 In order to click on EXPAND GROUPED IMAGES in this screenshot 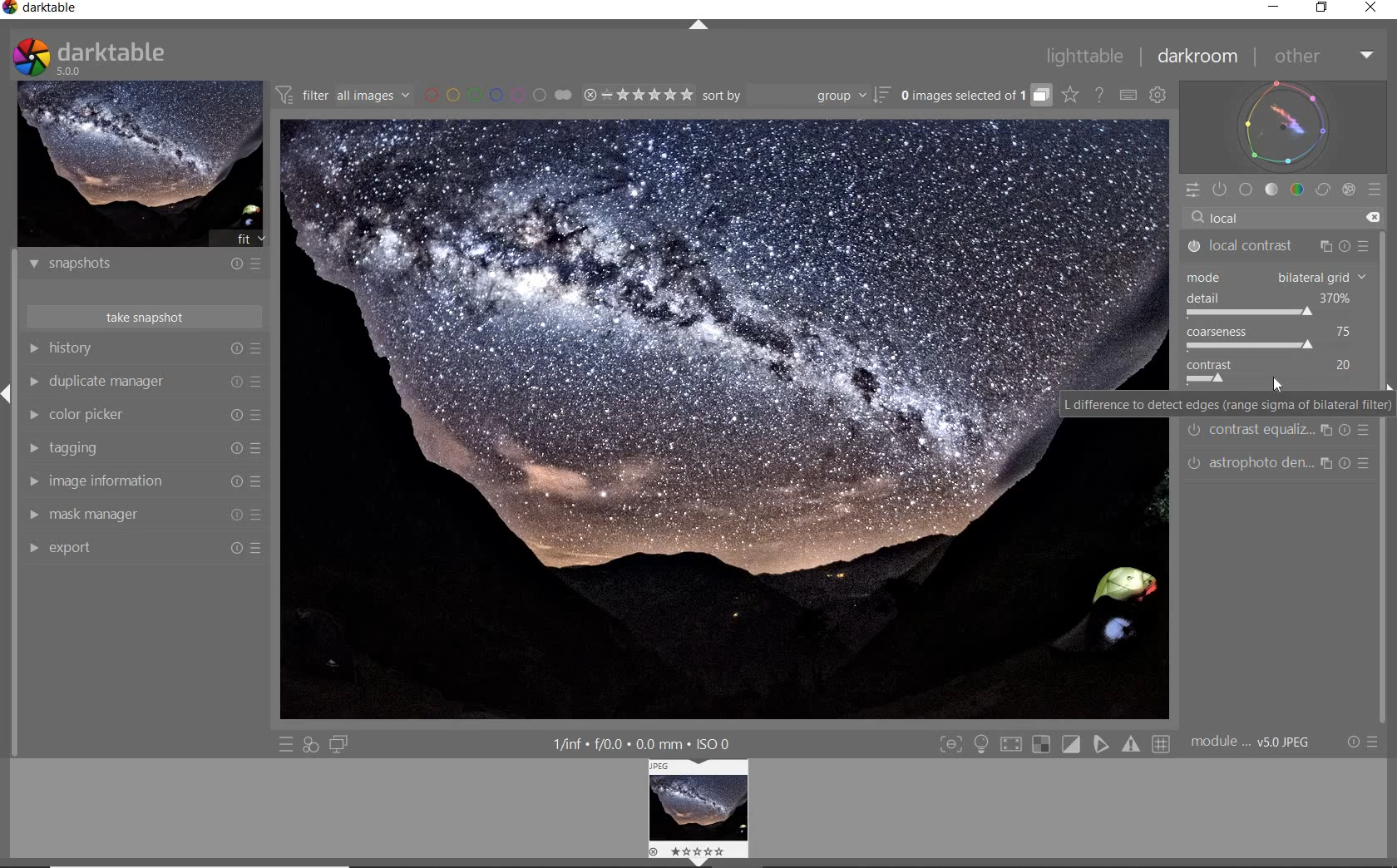, I will do `click(975, 96)`.